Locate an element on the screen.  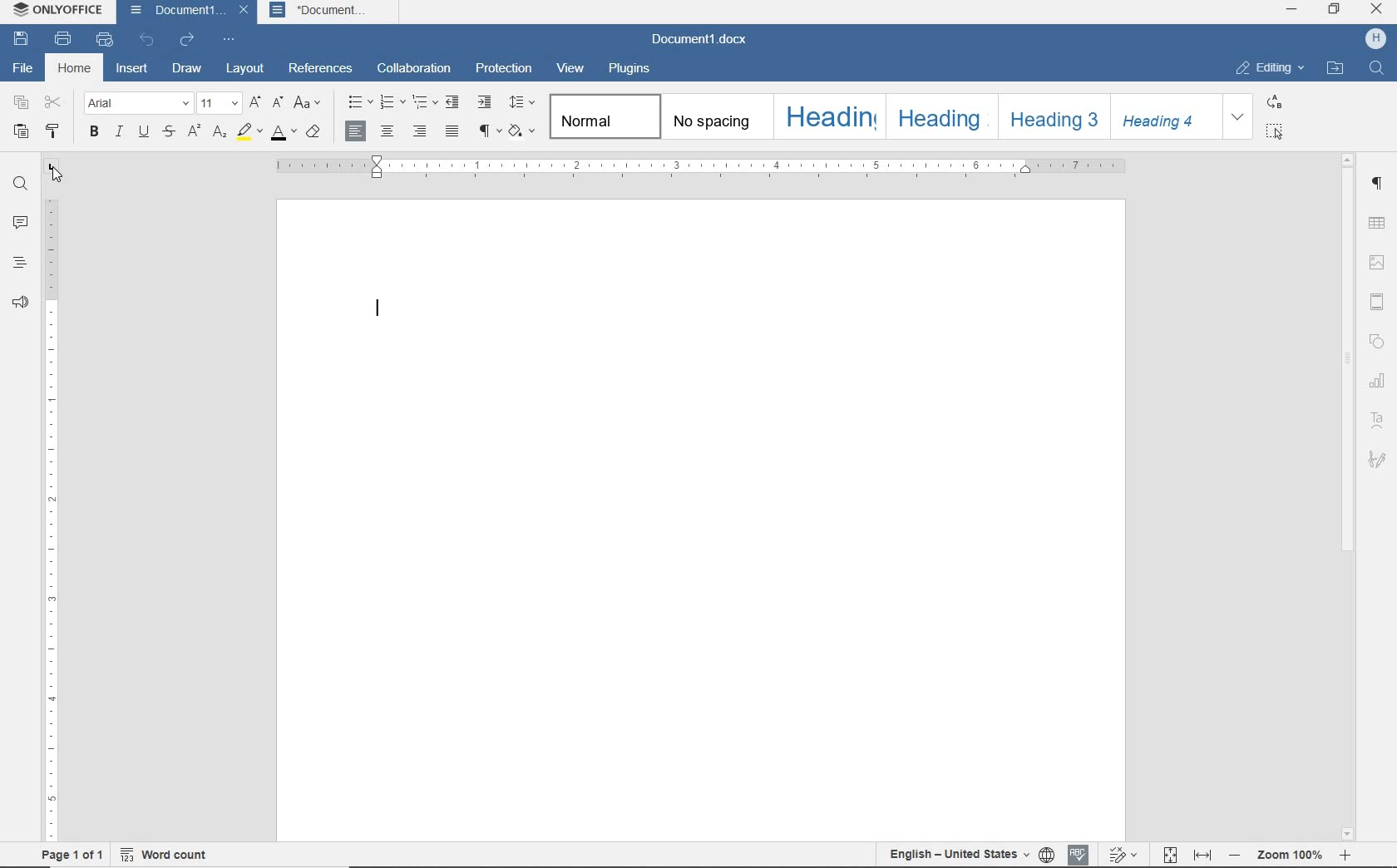
NONPRINTING CHARACTERS is located at coordinates (486, 132).